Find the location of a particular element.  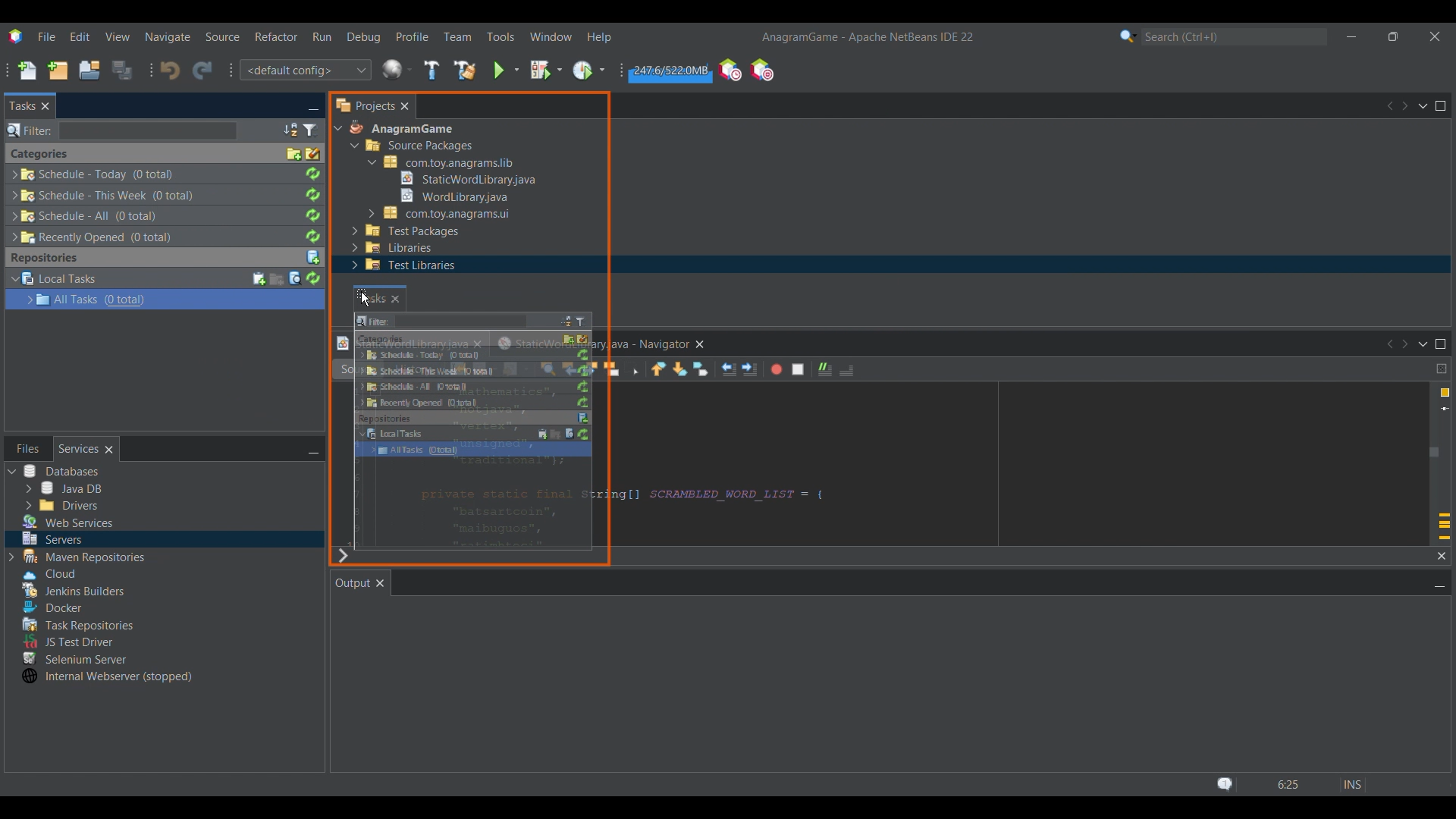

Minimize is located at coordinates (313, 107).